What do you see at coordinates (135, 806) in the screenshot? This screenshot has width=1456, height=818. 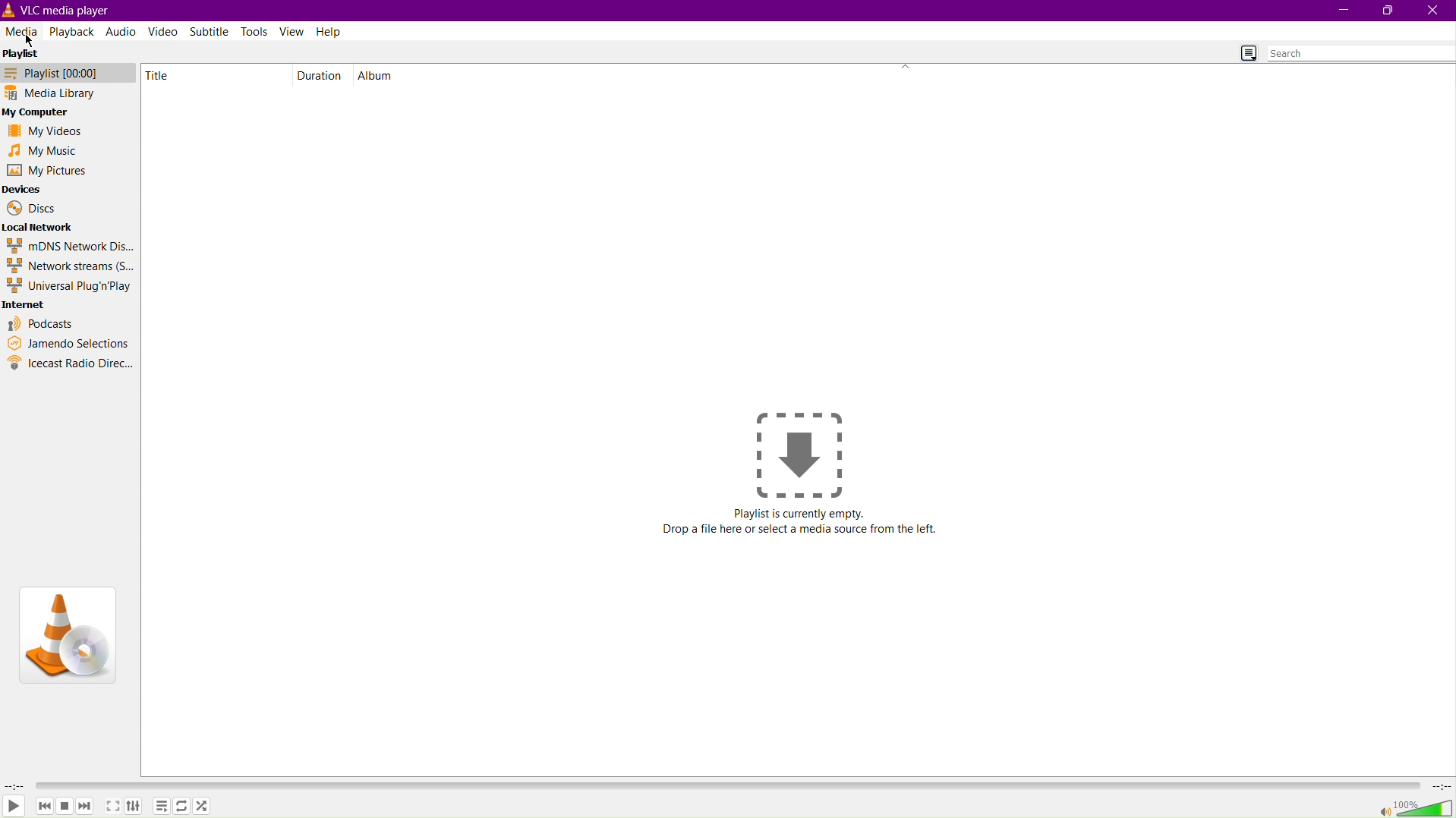 I see `Extended settings` at bounding box center [135, 806].